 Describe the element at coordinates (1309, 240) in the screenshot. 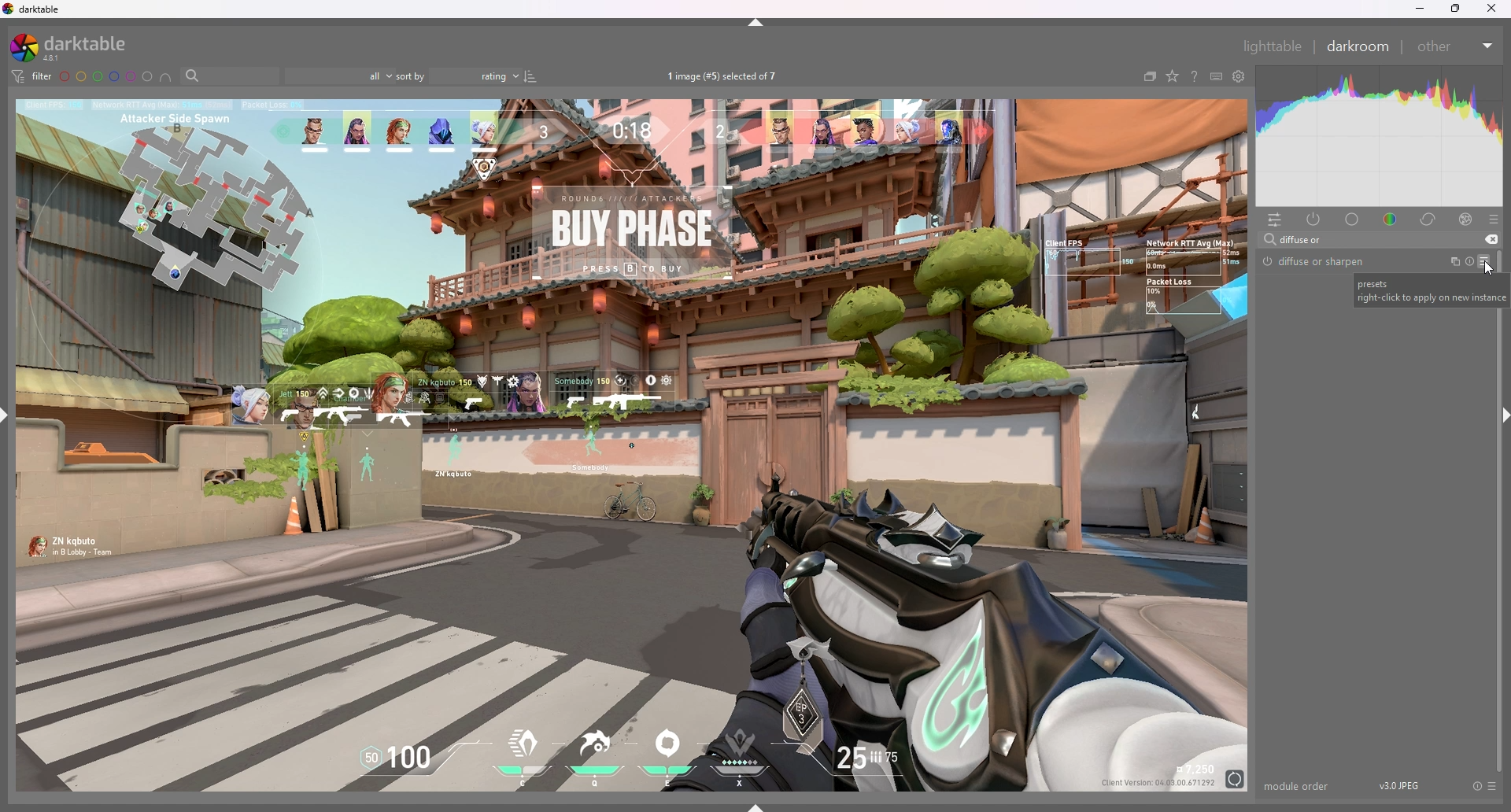

I see `input` at that location.